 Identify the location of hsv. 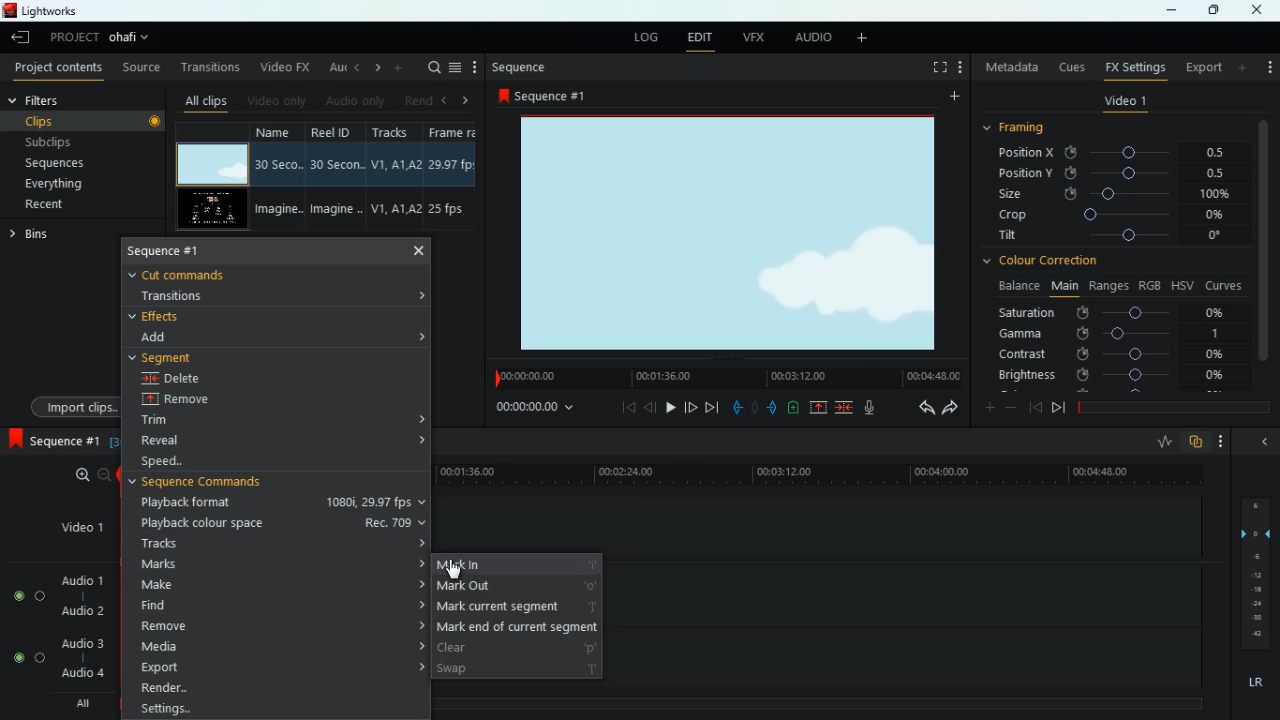
(1182, 285).